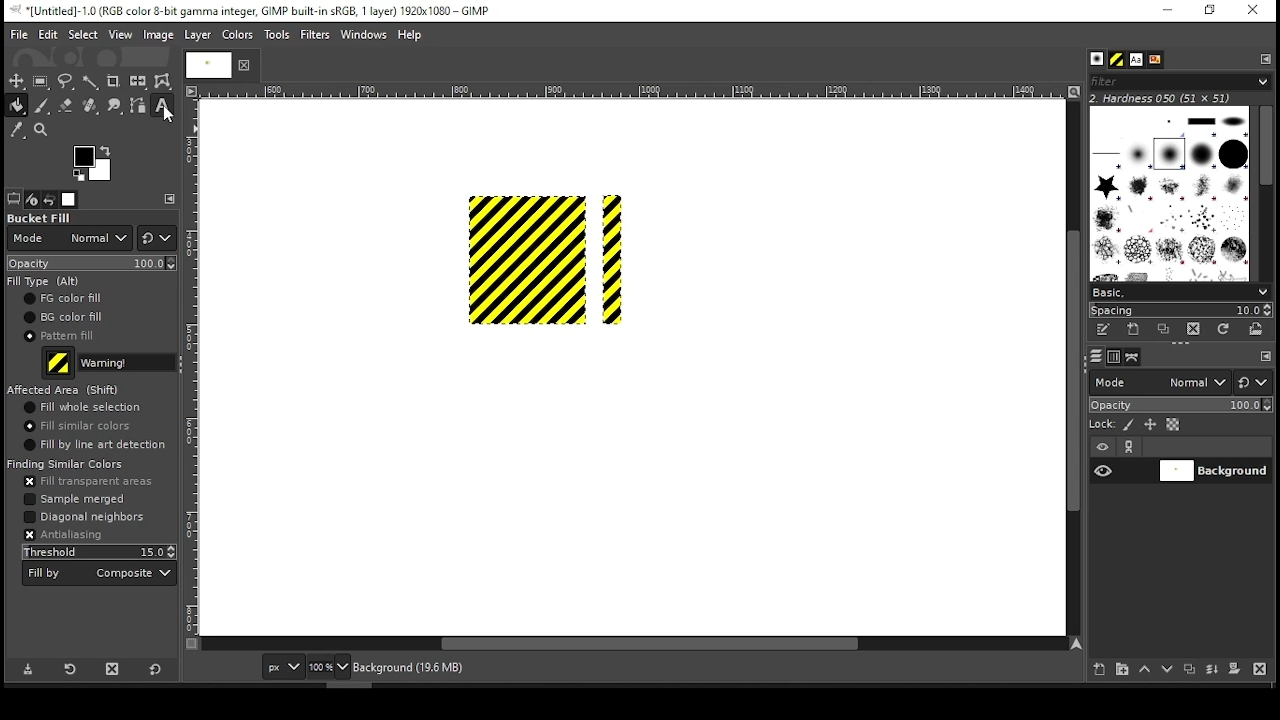  I want to click on reset to defaults, so click(156, 670).